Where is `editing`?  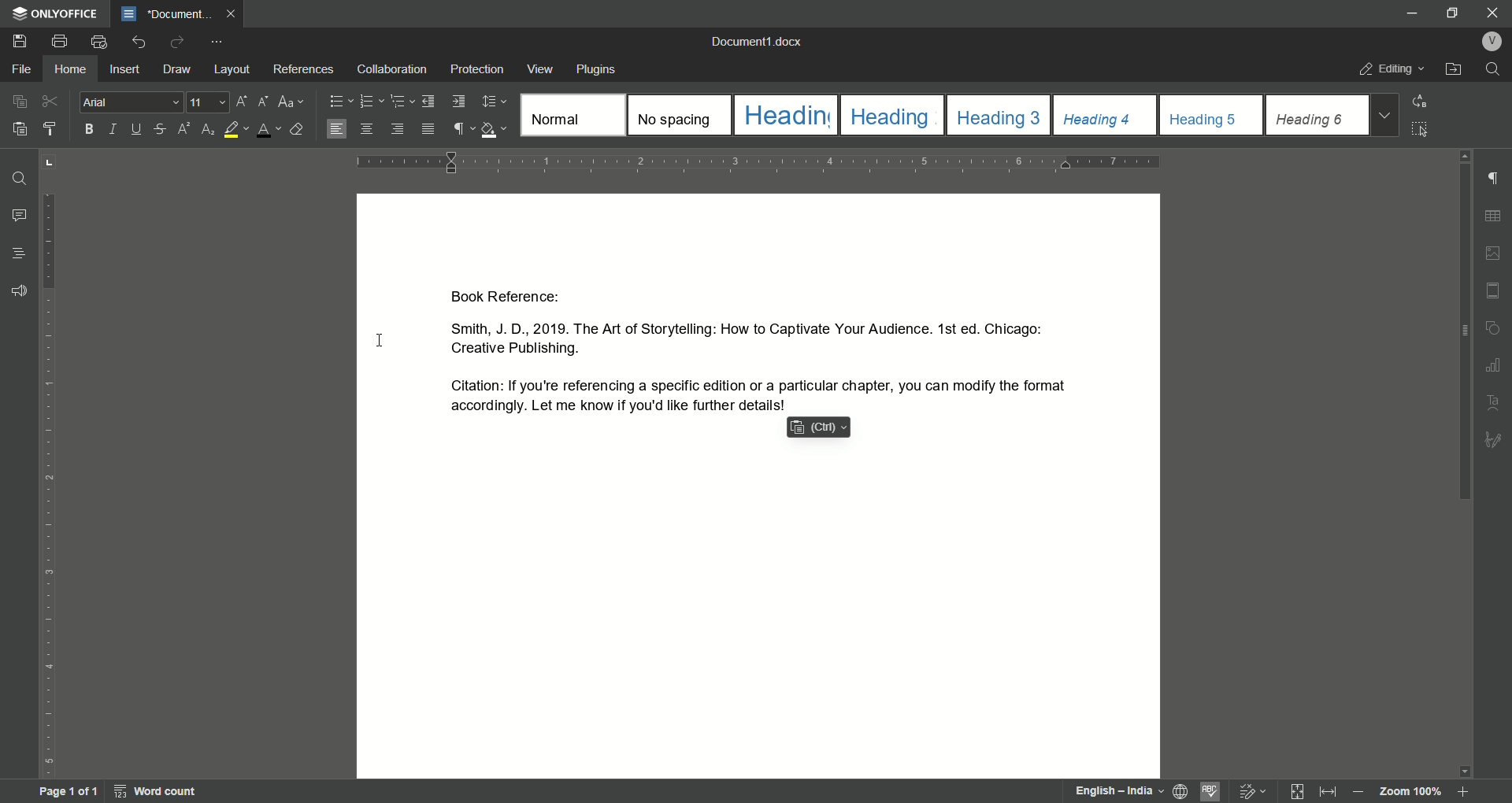
editing is located at coordinates (1392, 68).